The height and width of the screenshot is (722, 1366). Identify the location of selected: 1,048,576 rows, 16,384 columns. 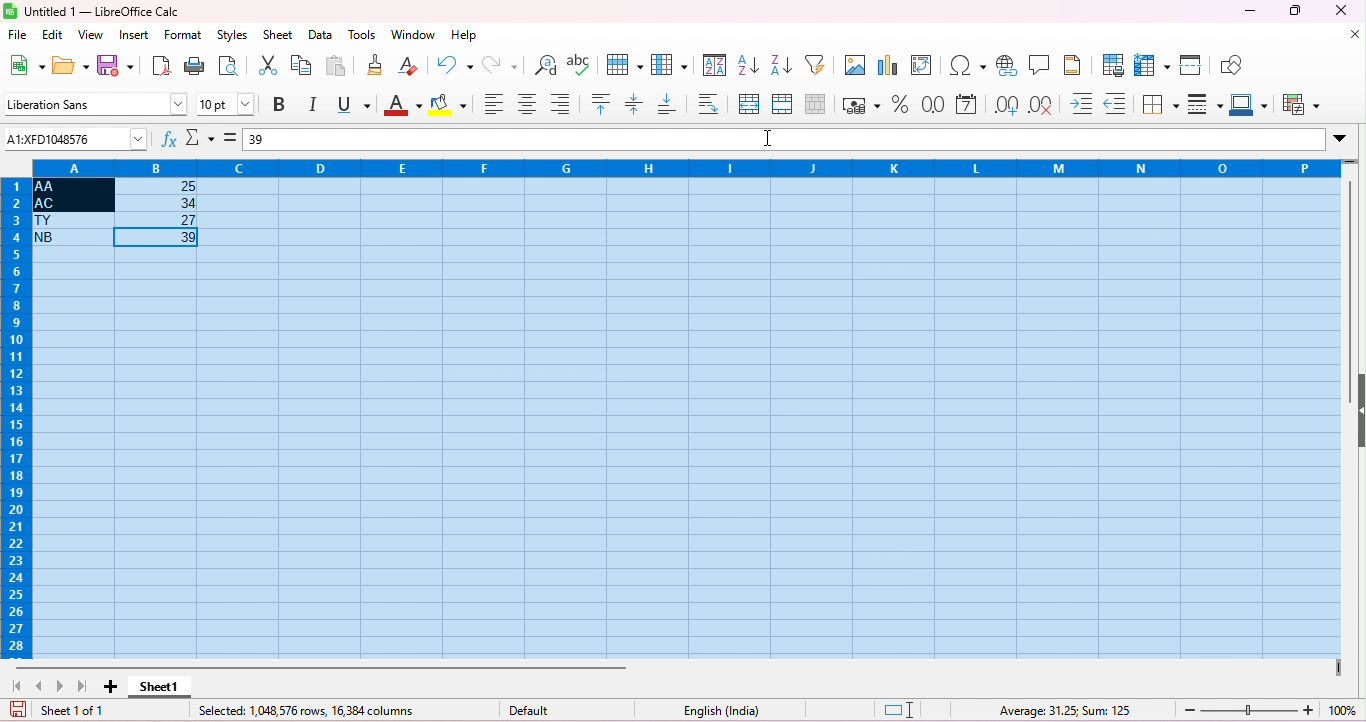
(308, 711).